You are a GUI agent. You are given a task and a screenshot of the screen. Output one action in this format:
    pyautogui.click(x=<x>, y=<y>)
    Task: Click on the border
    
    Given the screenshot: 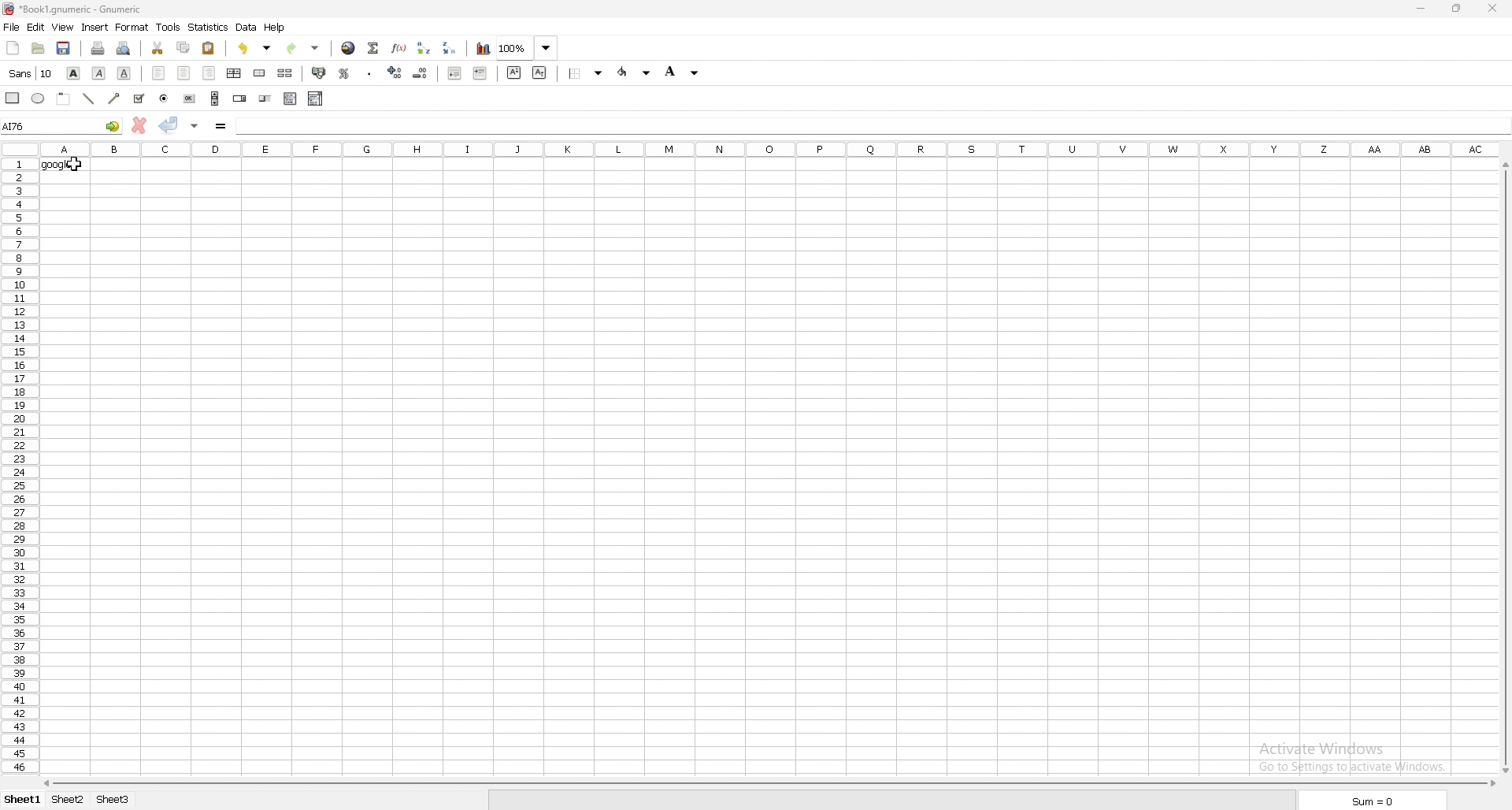 What is the action you would take?
    pyautogui.click(x=585, y=73)
    